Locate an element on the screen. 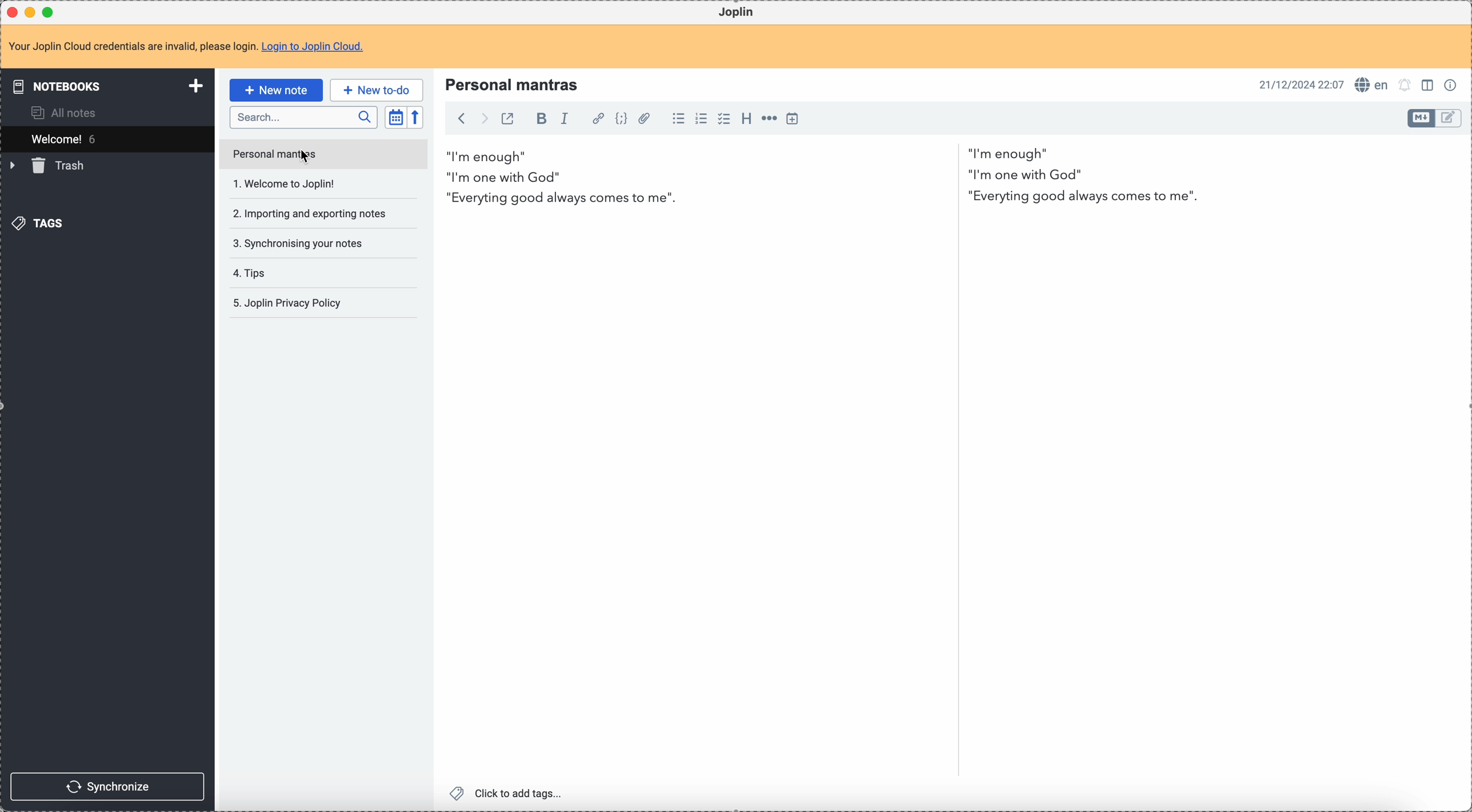 This screenshot has width=1472, height=812. horizontal rule is located at coordinates (769, 120).